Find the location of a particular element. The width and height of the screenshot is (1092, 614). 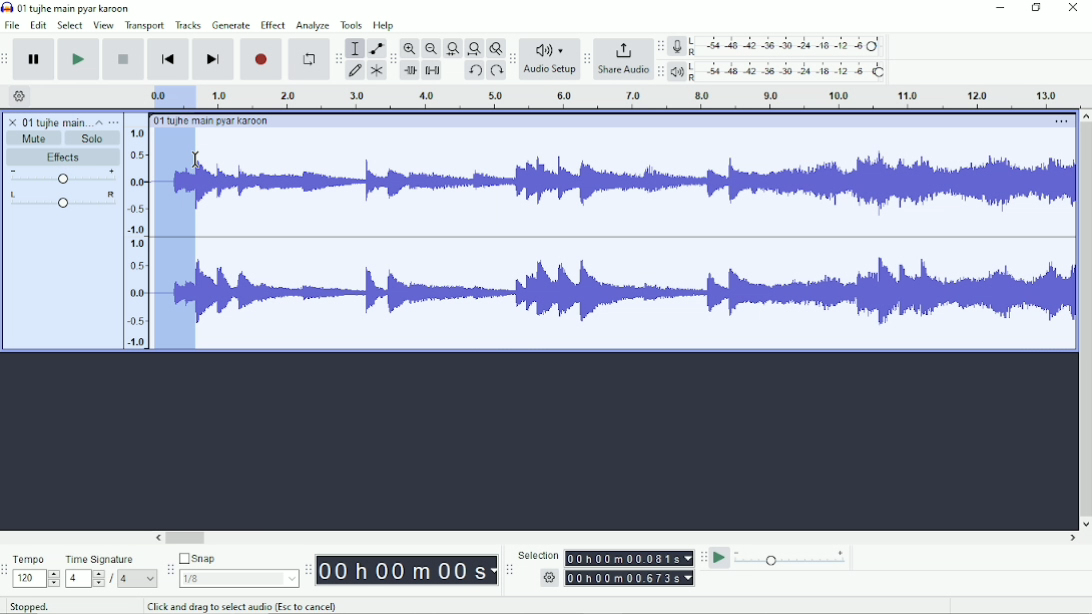

Fit selection to width is located at coordinates (453, 50).